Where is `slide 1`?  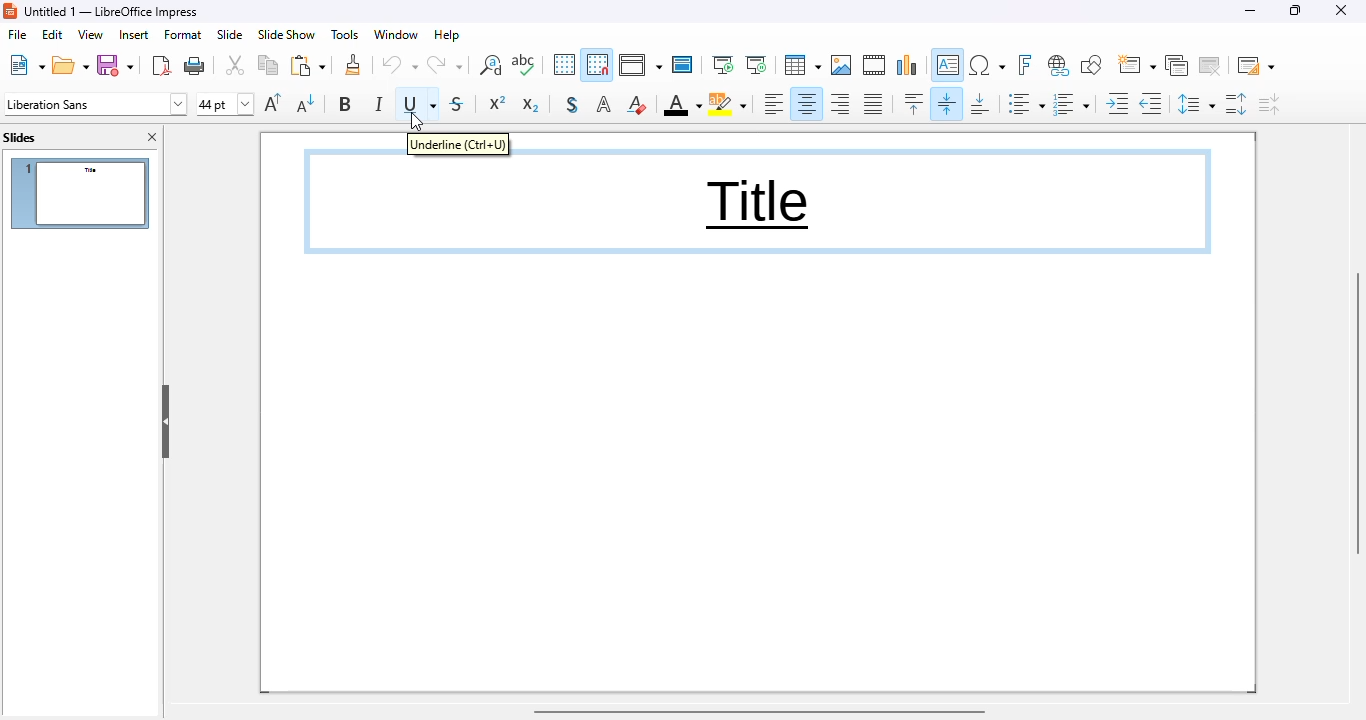
slide 1 is located at coordinates (80, 193).